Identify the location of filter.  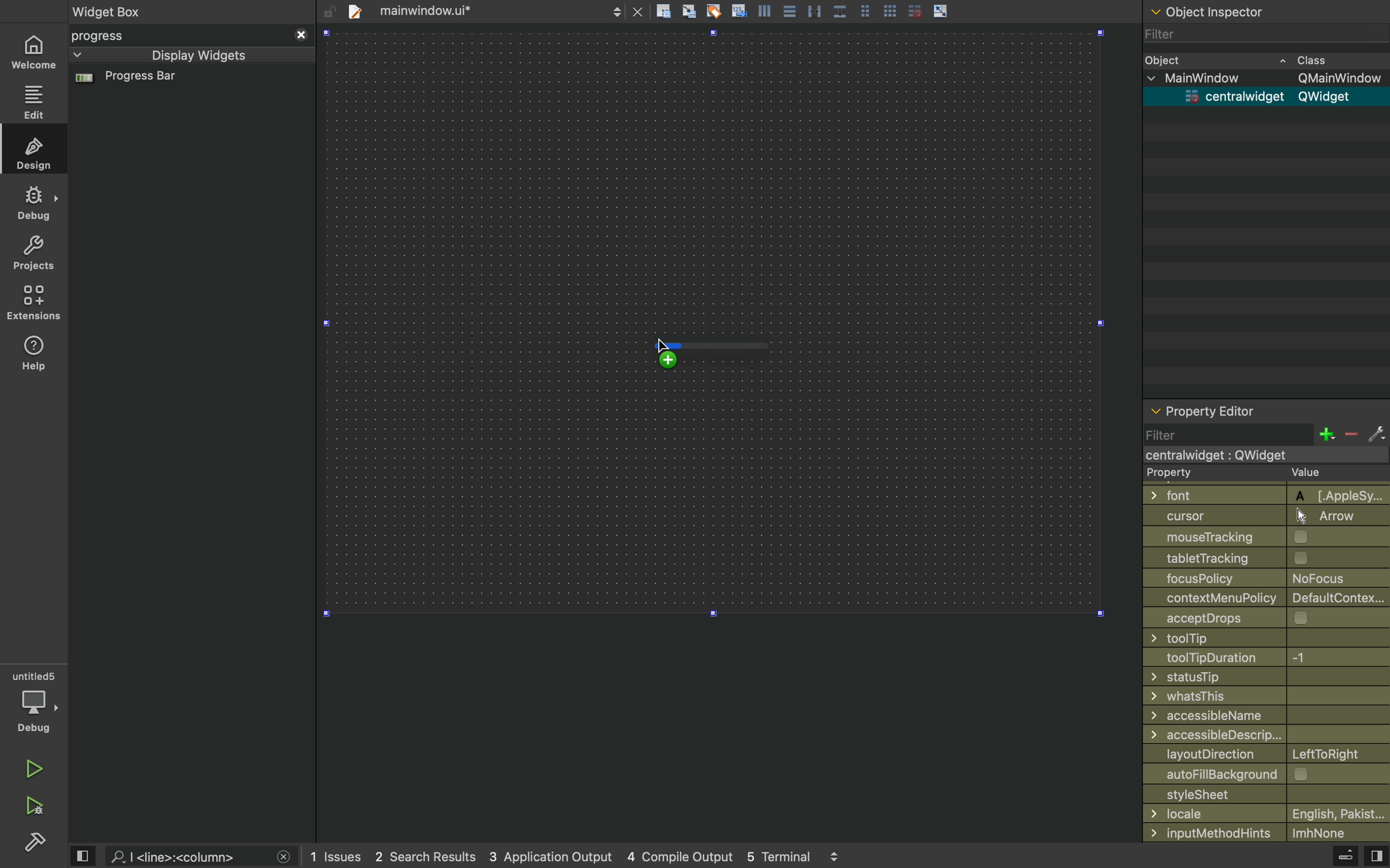
(1265, 434).